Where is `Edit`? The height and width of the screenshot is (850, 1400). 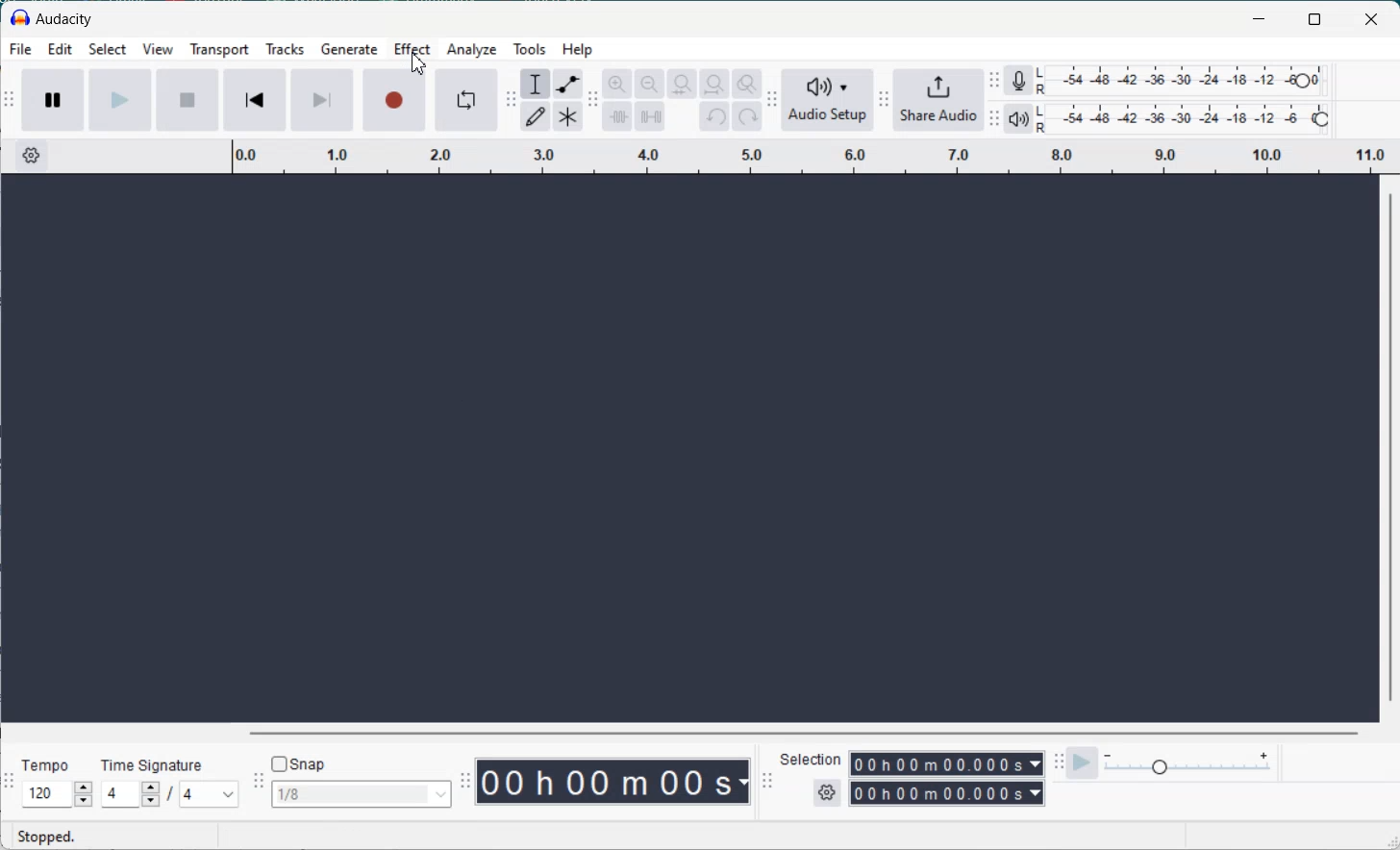
Edit is located at coordinates (60, 51).